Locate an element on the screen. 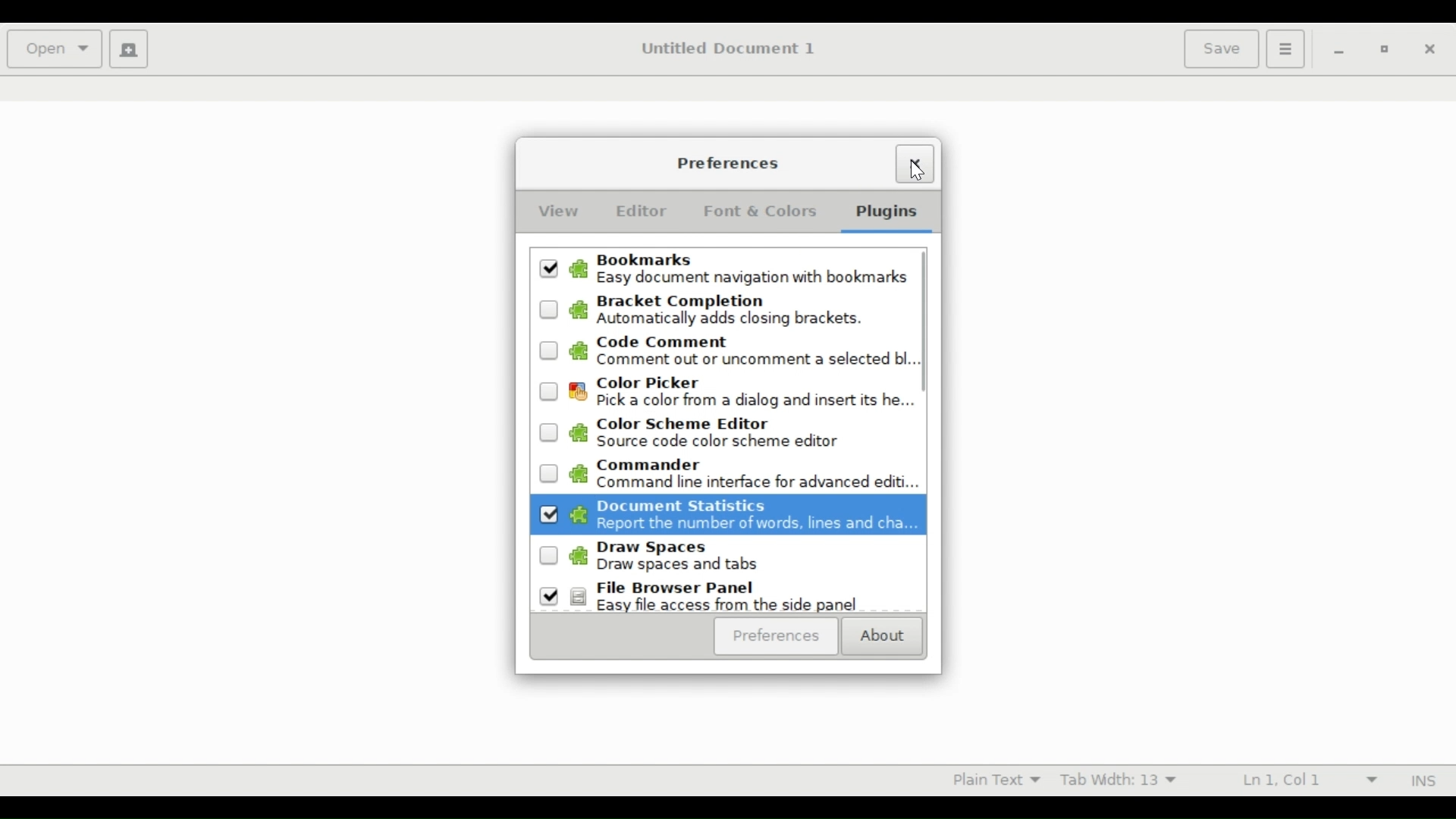 The width and height of the screenshot is (1456, 819). Save is located at coordinates (1220, 49).